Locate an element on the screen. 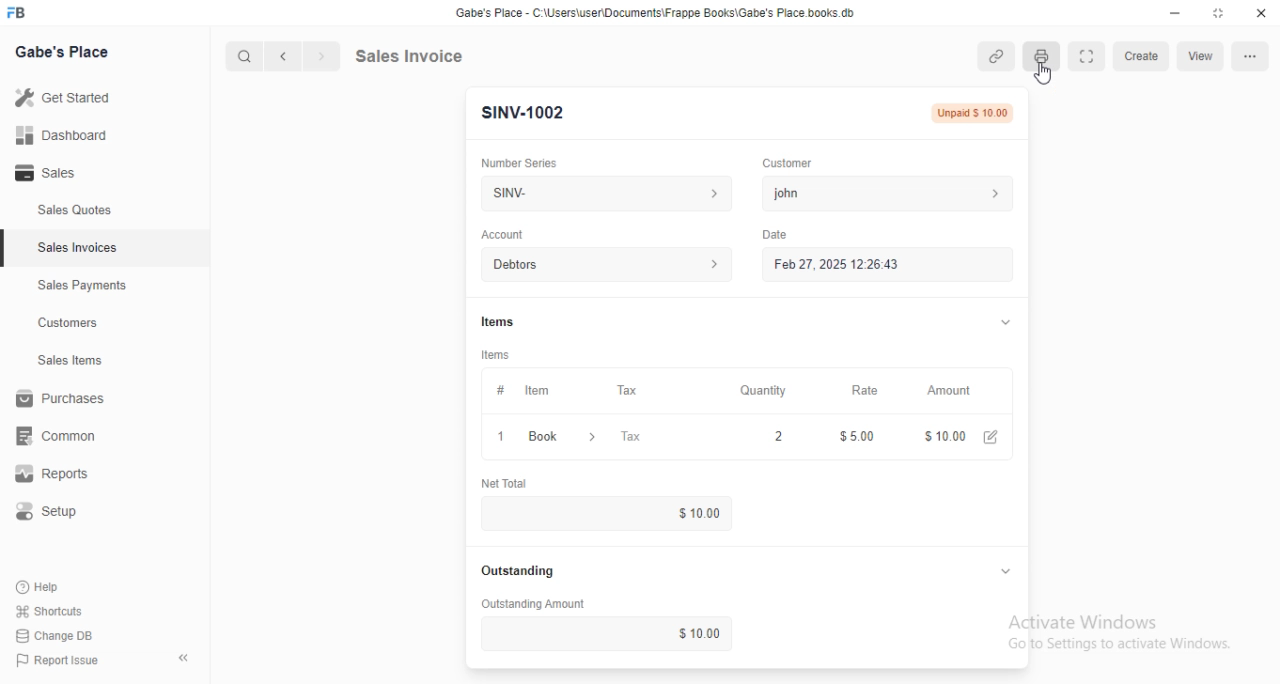 Image resolution: width=1280 pixels, height=684 pixels. rate is located at coordinates (865, 390).